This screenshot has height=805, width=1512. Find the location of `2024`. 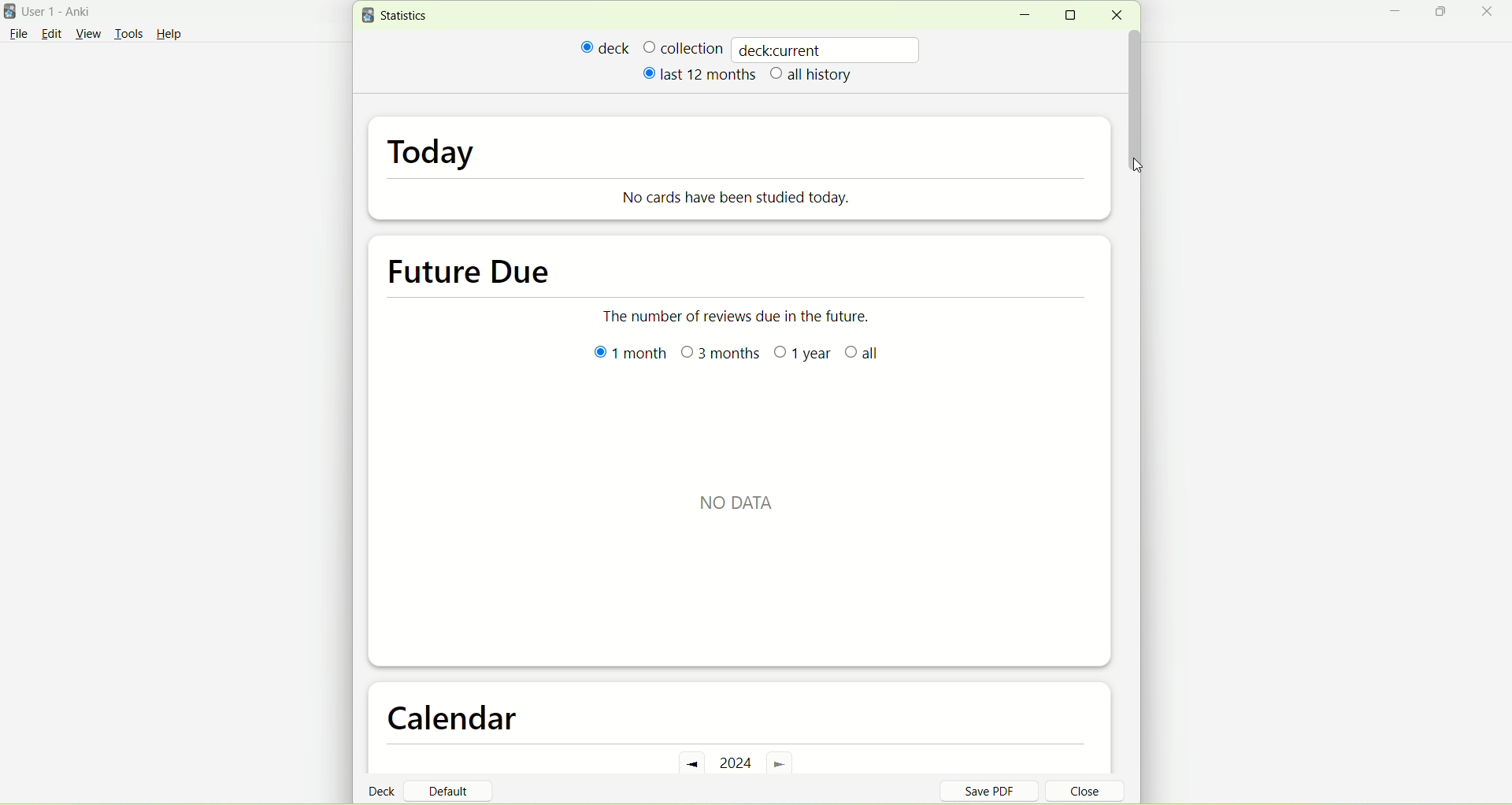

2024 is located at coordinates (738, 762).